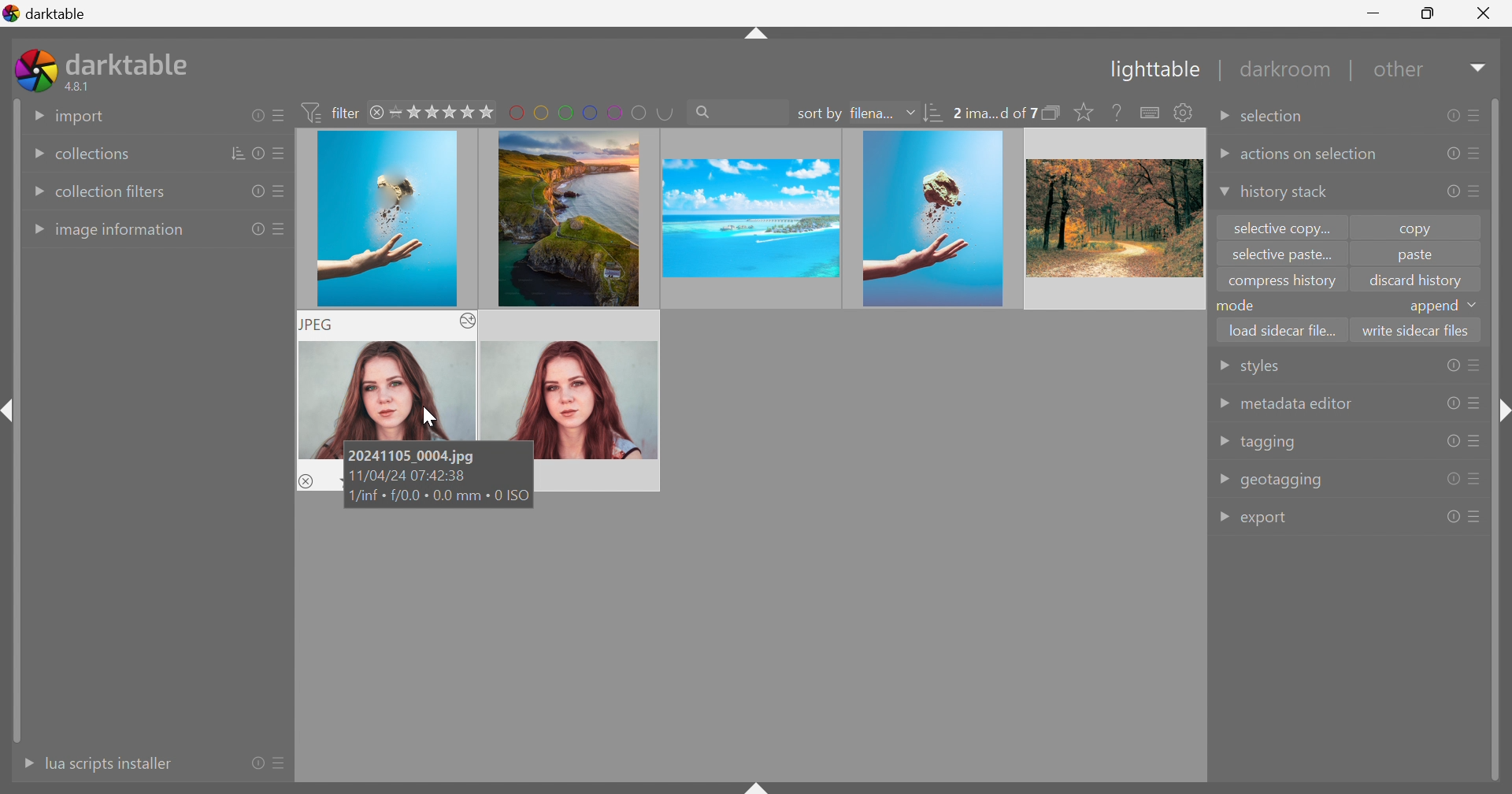 This screenshot has width=1512, height=794. Describe the element at coordinates (108, 763) in the screenshot. I see `lua scripts instaler` at that location.